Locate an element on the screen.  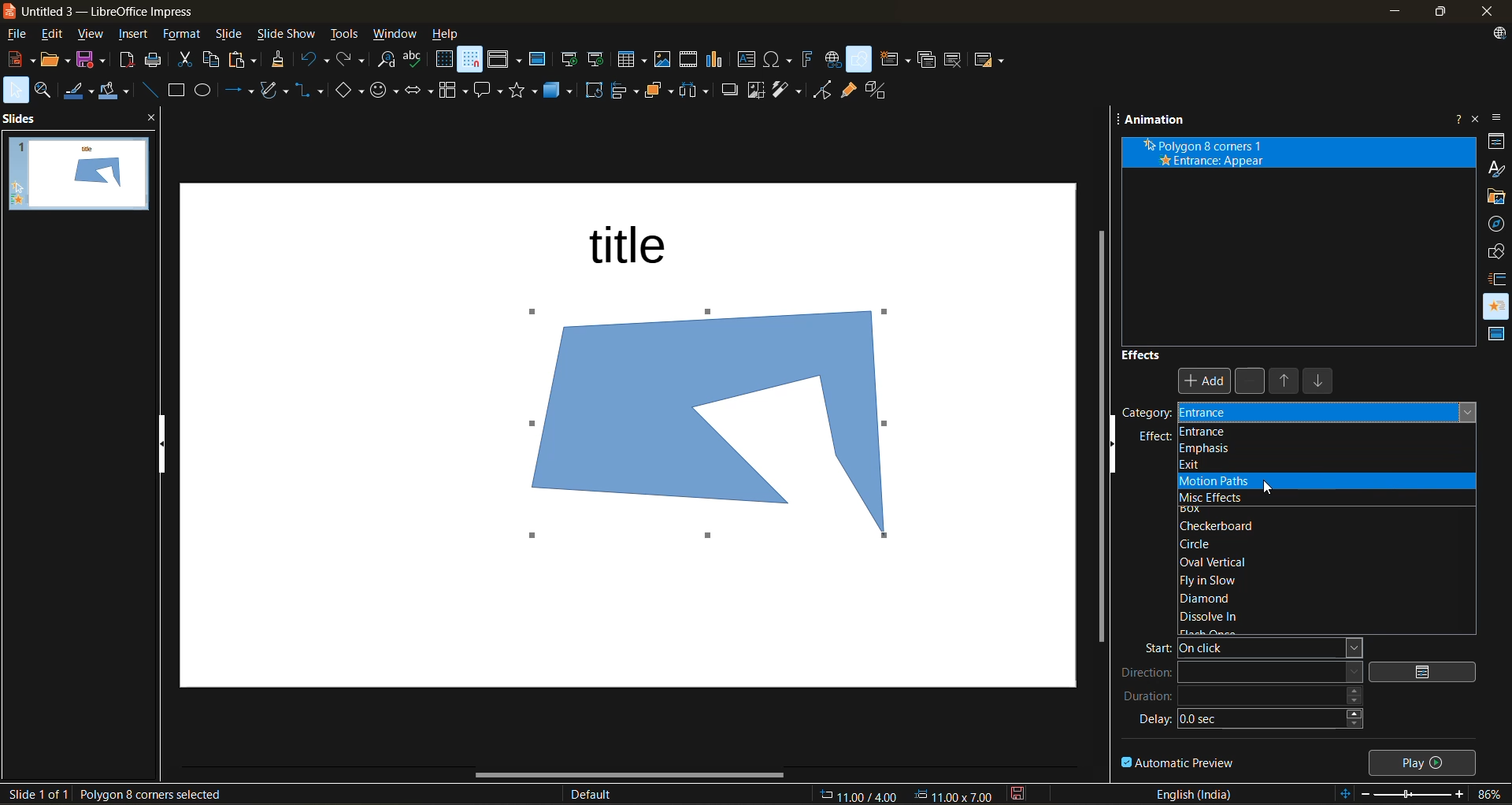
open is located at coordinates (52, 59).